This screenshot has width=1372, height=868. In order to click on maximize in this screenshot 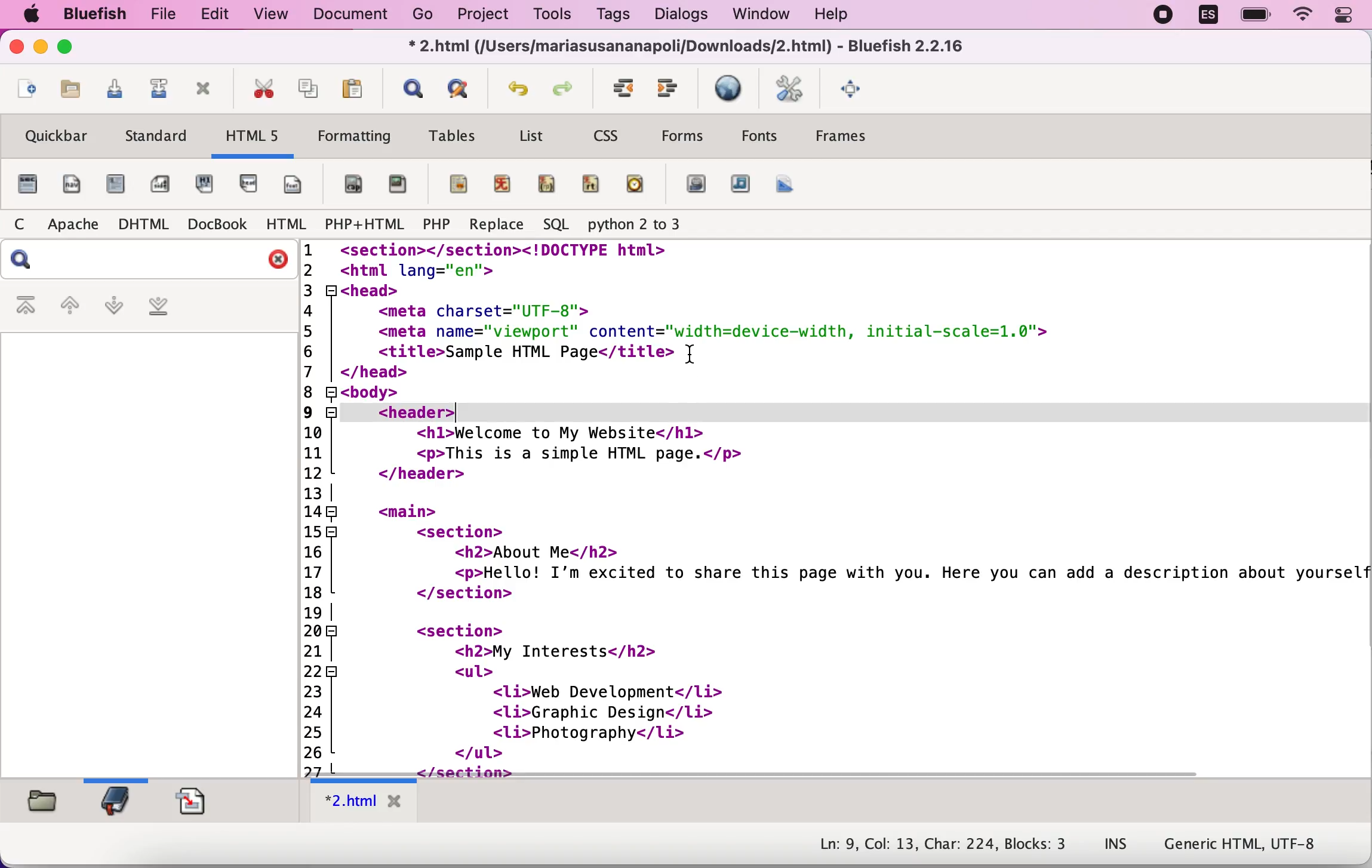, I will do `click(70, 49)`.